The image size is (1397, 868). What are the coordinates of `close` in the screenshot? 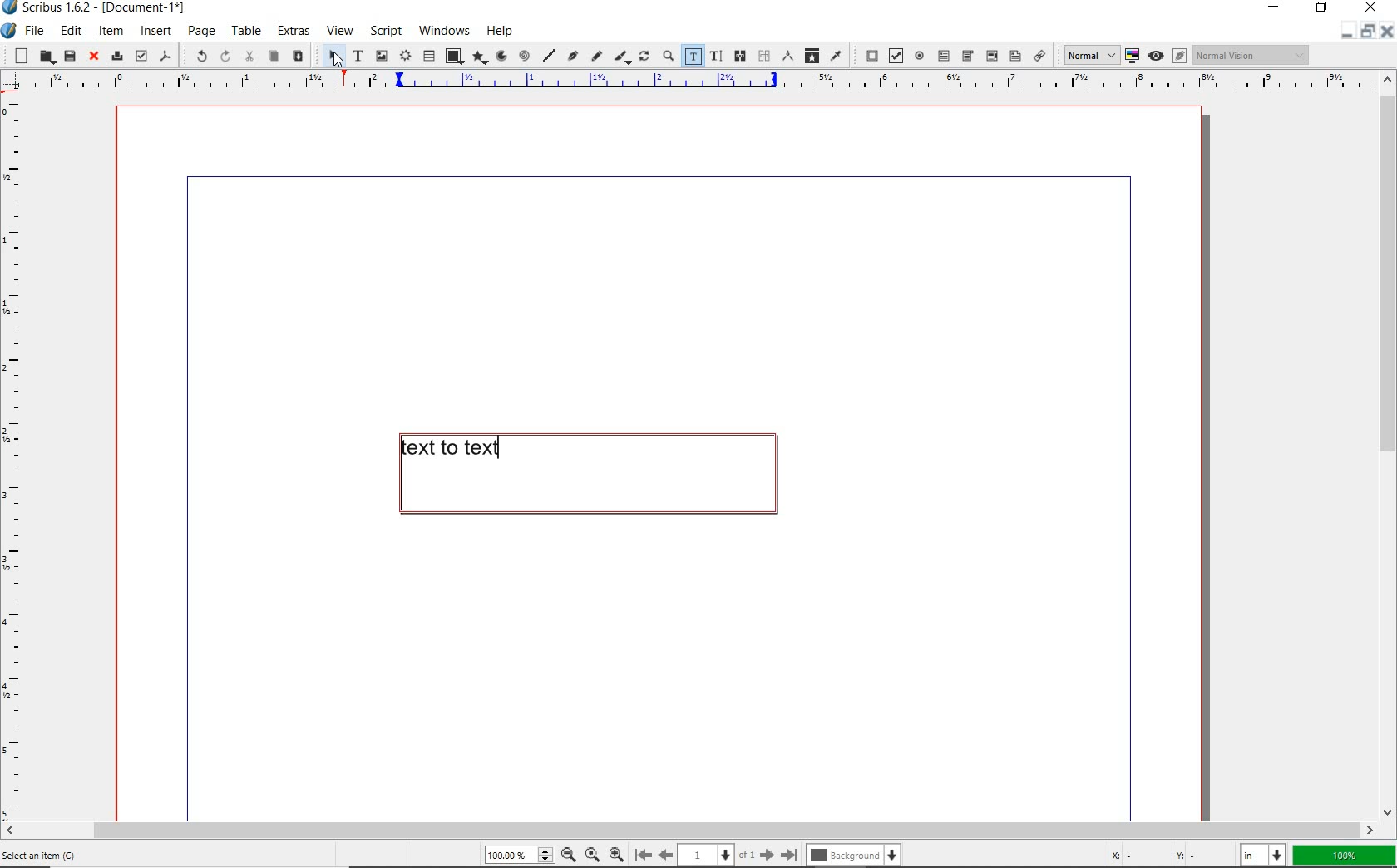 It's located at (1371, 7).